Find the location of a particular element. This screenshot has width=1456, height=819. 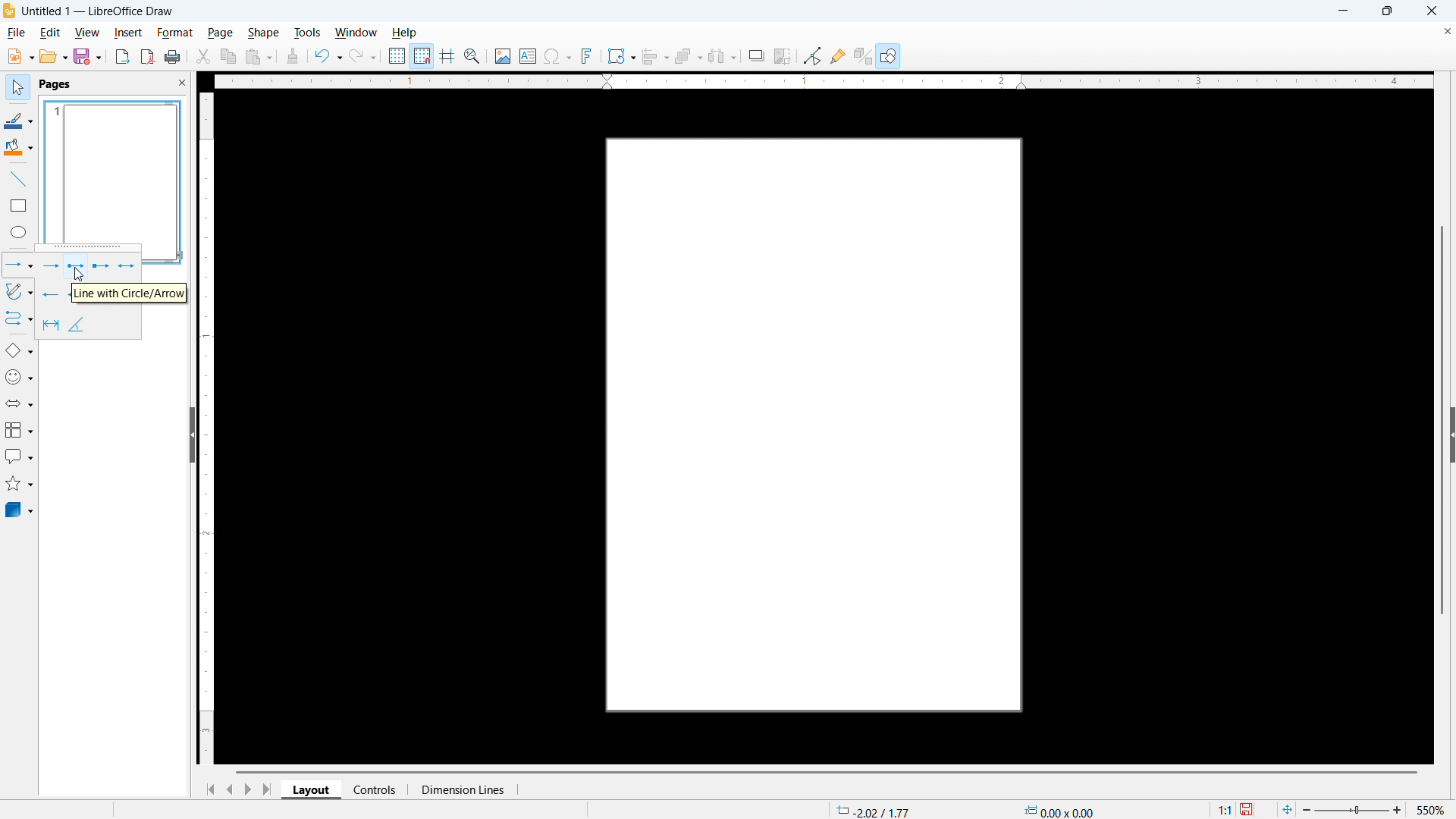

Close document  is located at coordinates (1446, 31).